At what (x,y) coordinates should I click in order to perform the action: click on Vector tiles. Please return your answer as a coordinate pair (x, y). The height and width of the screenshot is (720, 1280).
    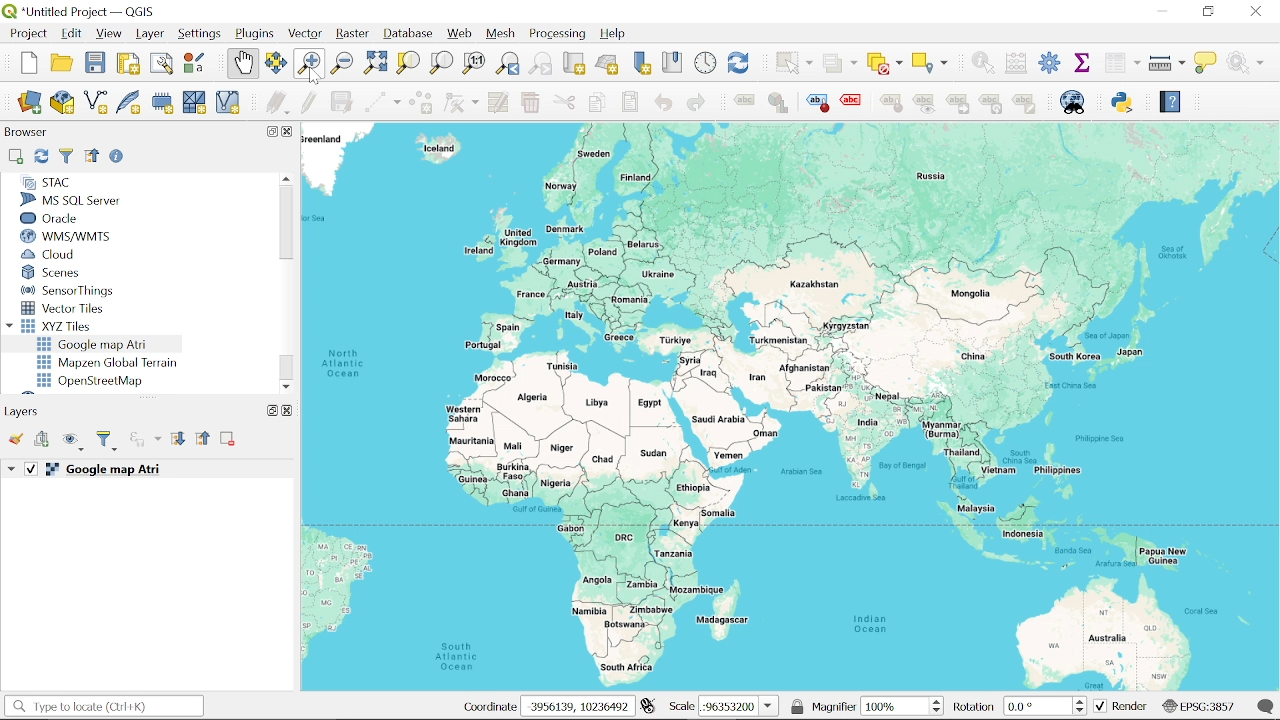
    Looking at the image, I should click on (64, 308).